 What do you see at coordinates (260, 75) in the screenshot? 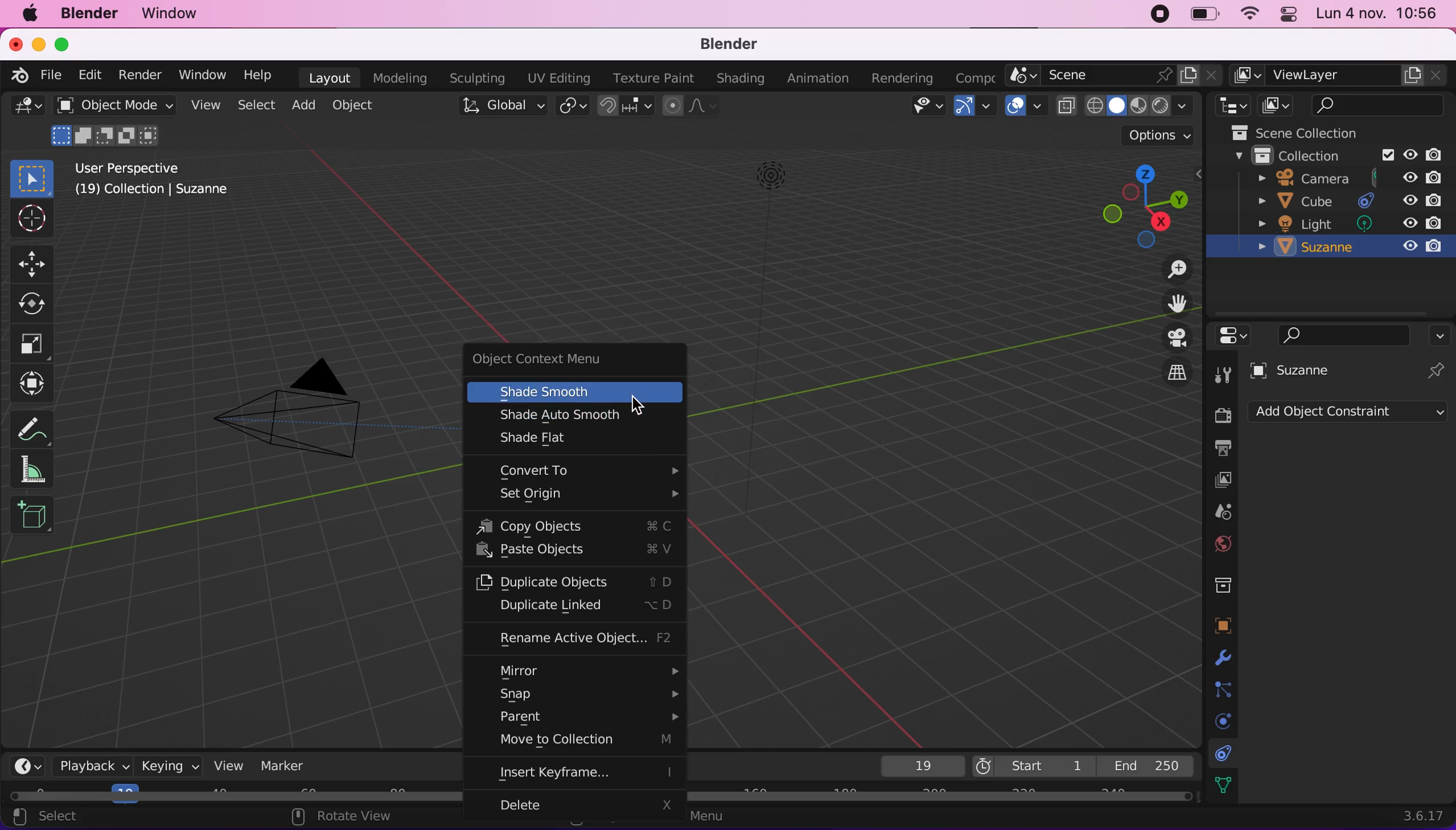
I see `help` at bounding box center [260, 75].